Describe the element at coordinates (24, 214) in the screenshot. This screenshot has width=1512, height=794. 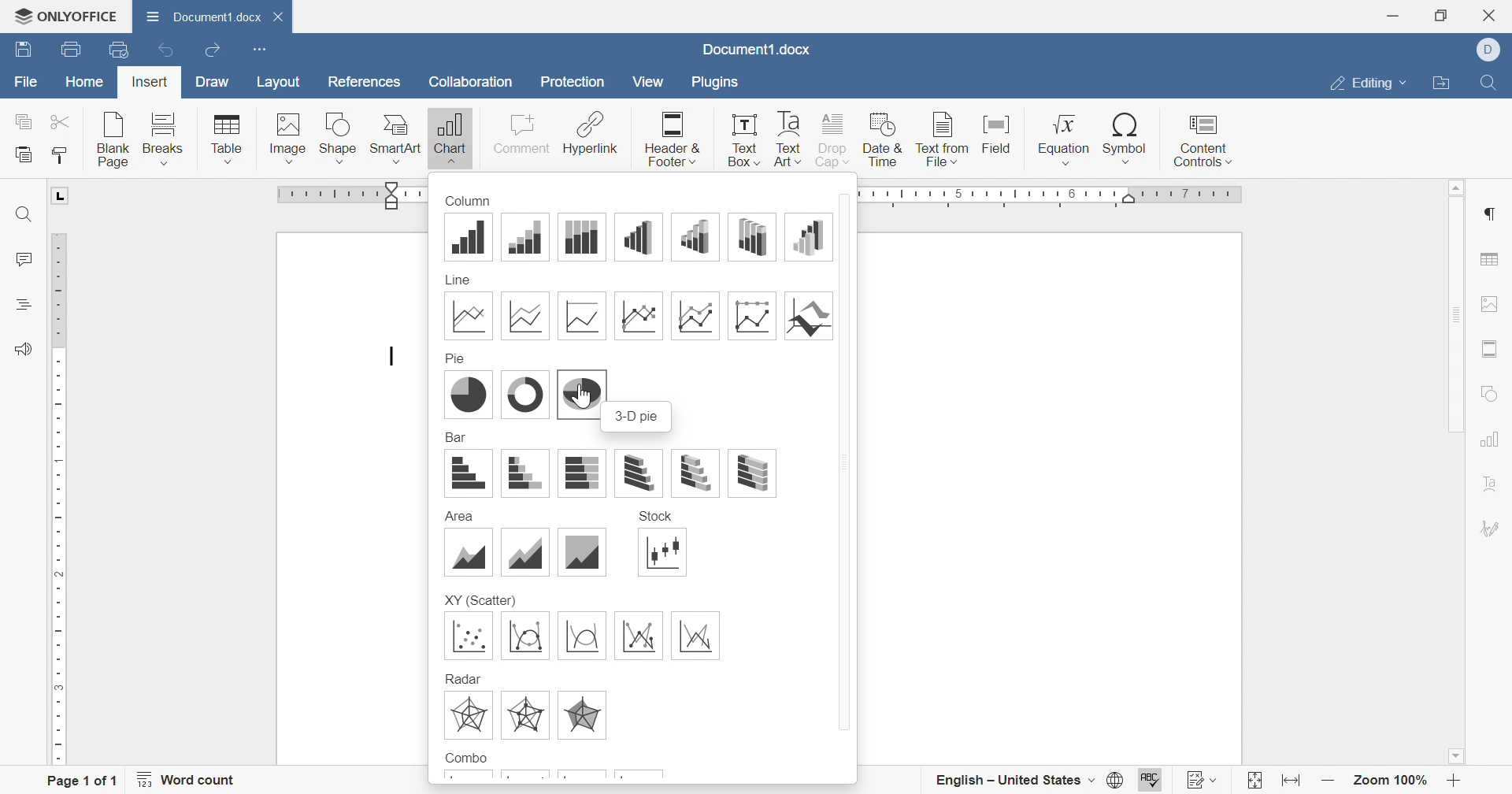
I see `Find` at that location.